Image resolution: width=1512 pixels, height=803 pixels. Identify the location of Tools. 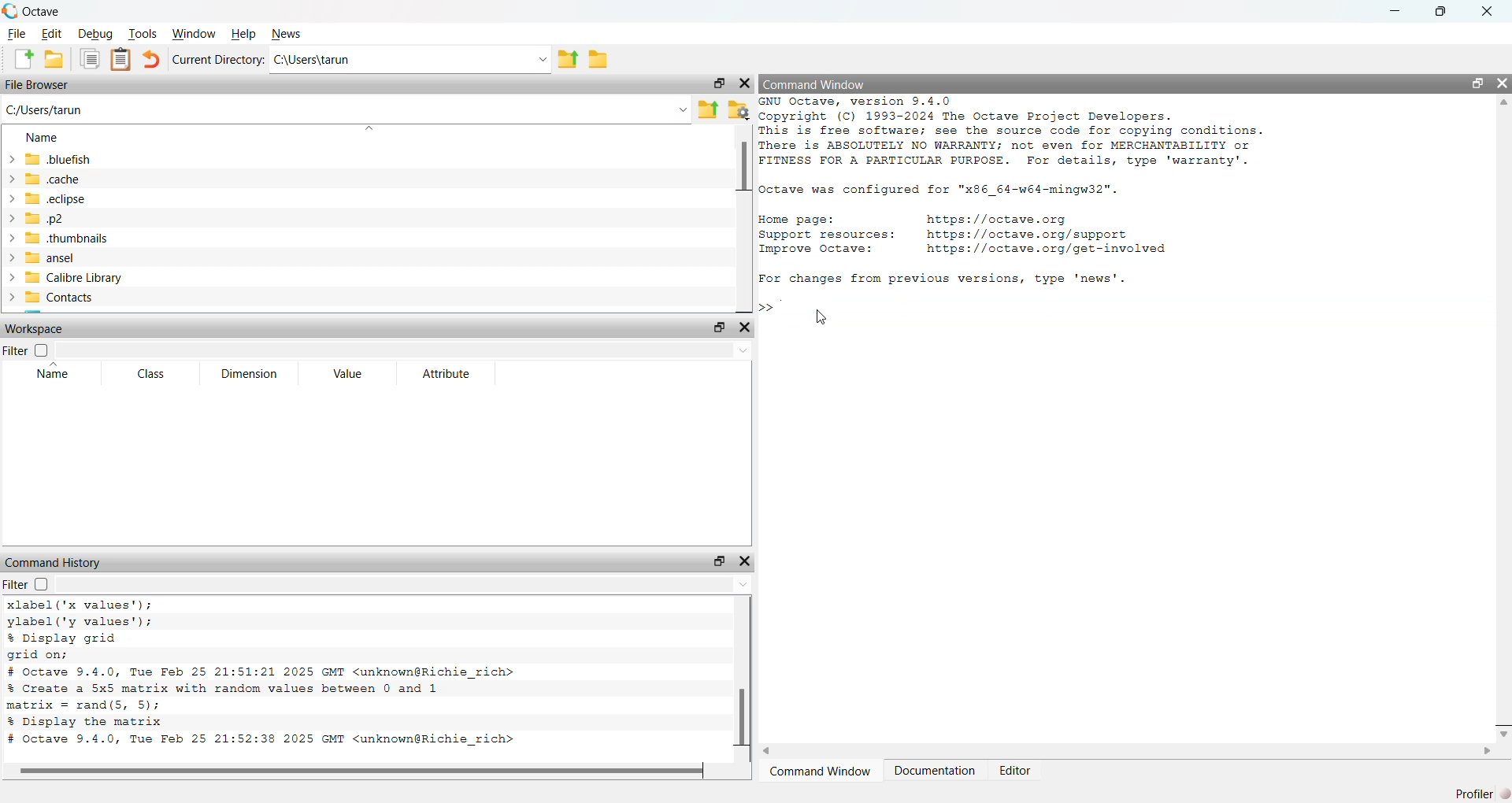
(144, 32).